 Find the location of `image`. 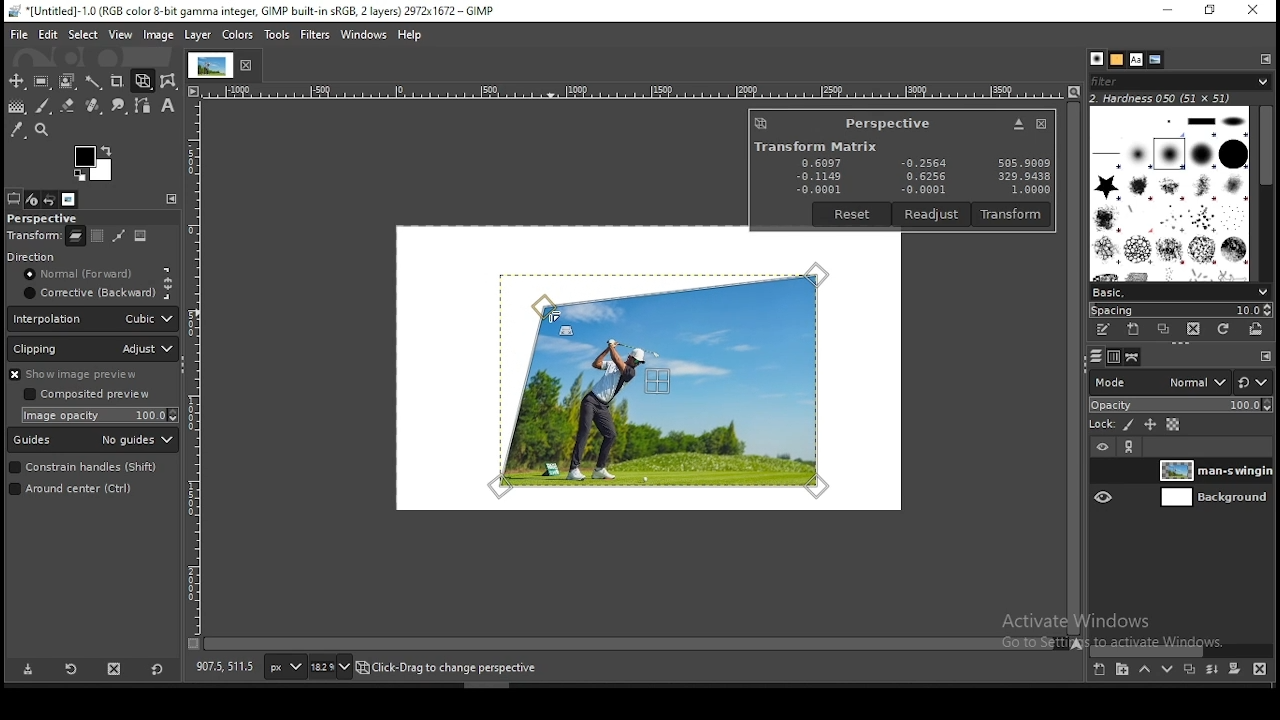

image is located at coordinates (235, 34).